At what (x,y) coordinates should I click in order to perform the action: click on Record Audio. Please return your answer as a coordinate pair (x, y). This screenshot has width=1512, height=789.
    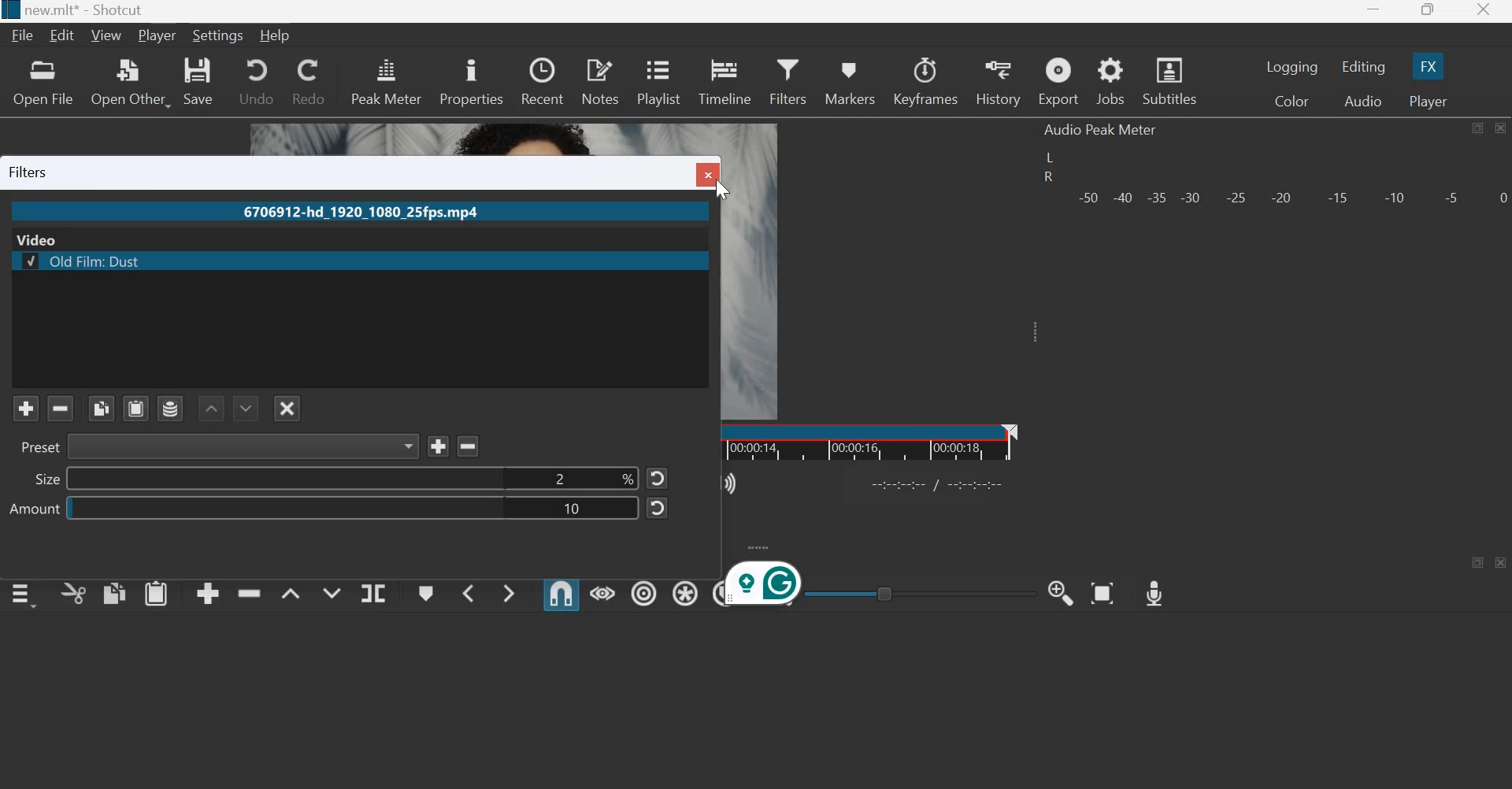
    Looking at the image, I should click on (1153, 589).